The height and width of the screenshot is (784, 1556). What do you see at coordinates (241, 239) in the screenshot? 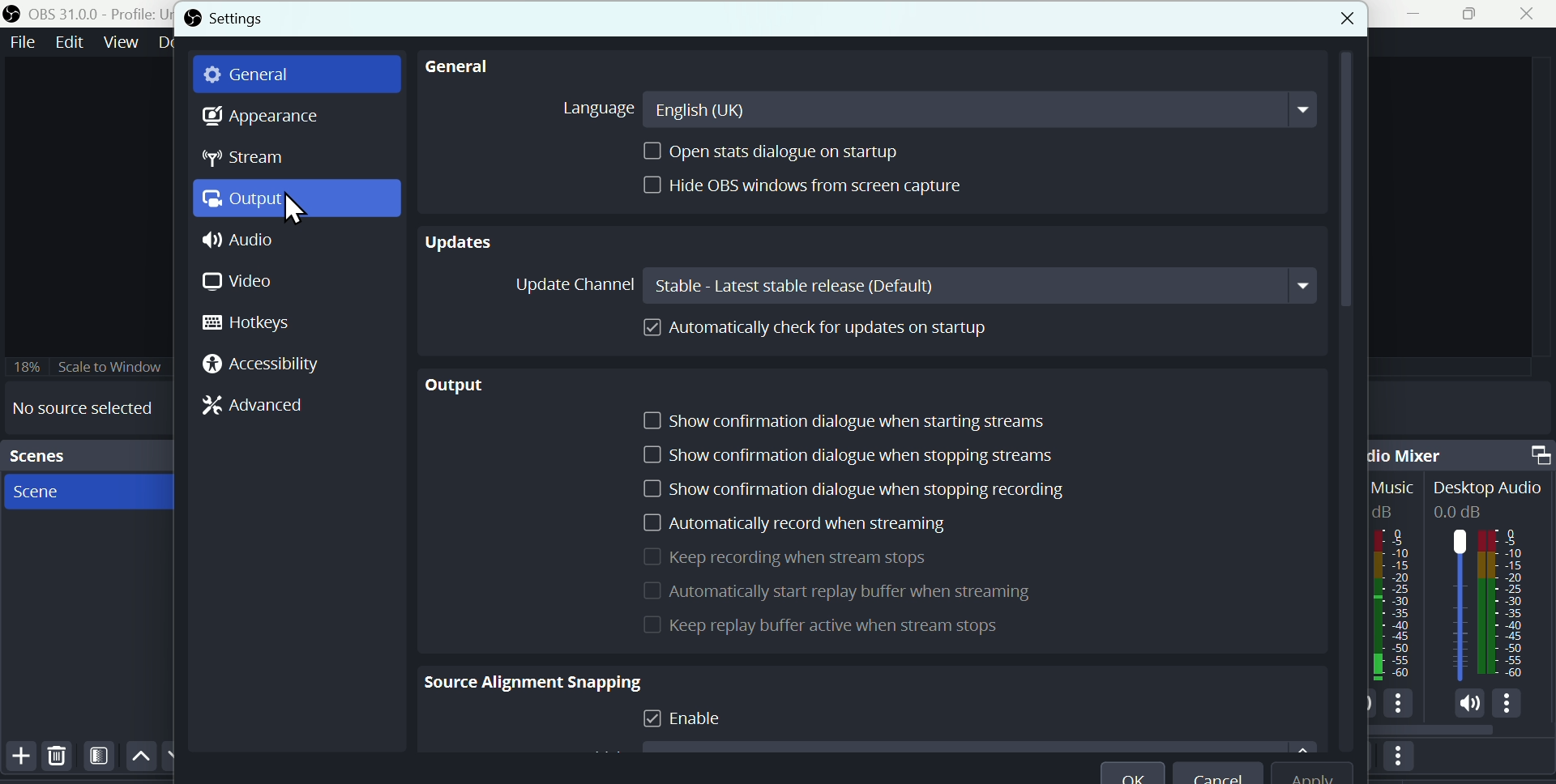
I see `Audio` at bounding box center [241, 239].